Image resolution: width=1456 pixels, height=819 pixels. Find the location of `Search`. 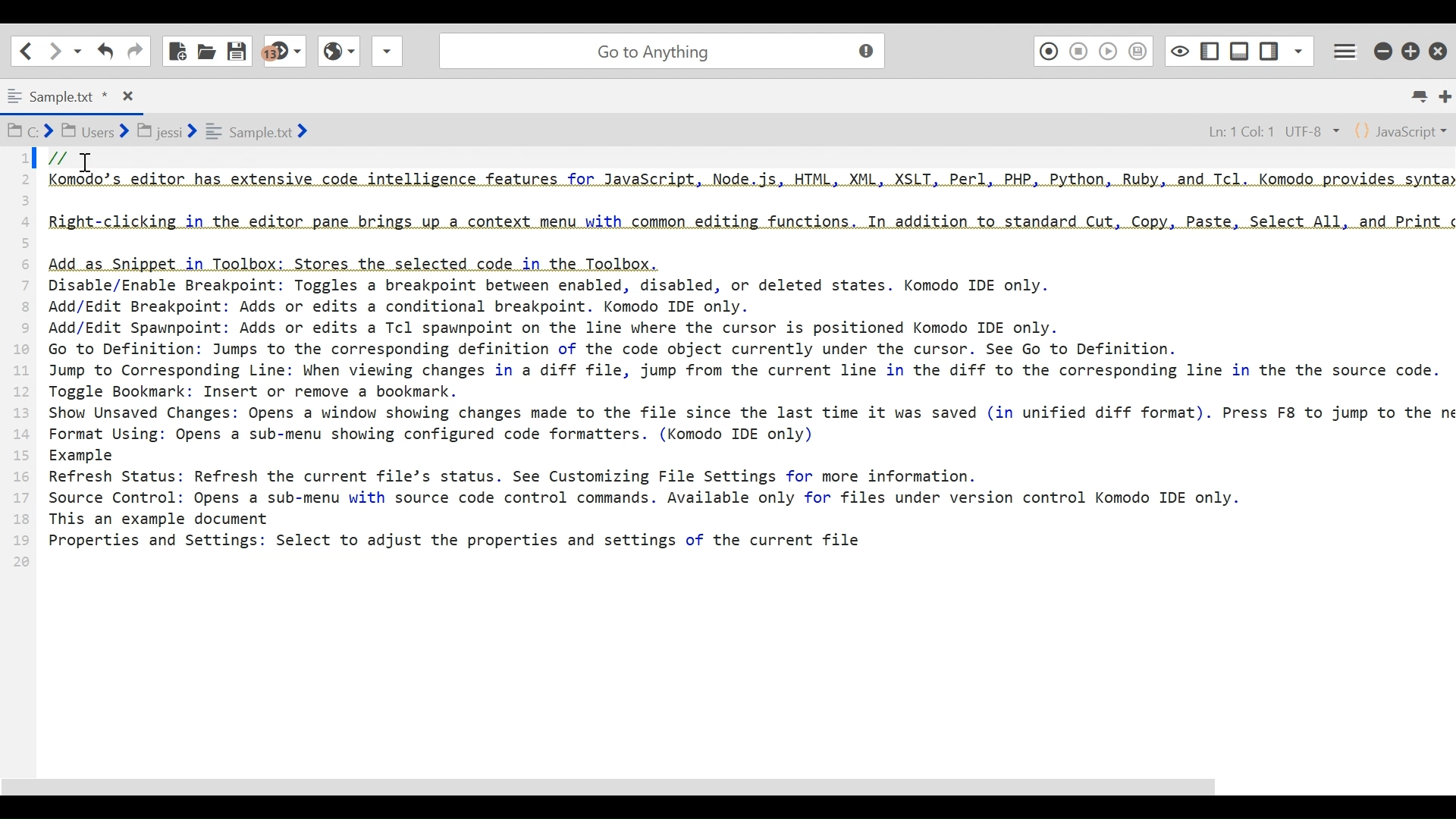

Search is located at coordinates (659, 49).